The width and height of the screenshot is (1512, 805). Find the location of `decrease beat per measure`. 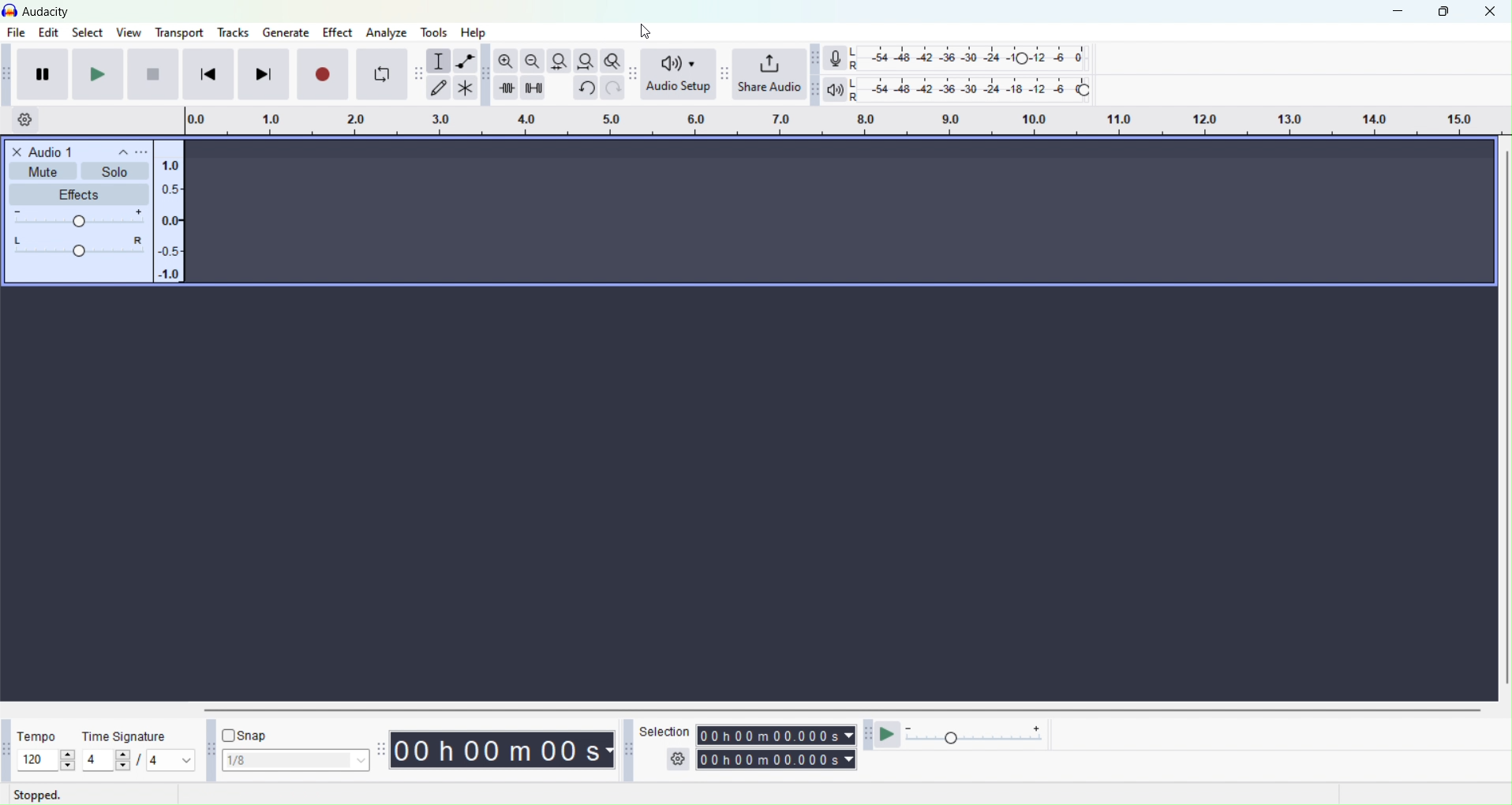

decrease beat per measure is located at coordinates (121, 767).